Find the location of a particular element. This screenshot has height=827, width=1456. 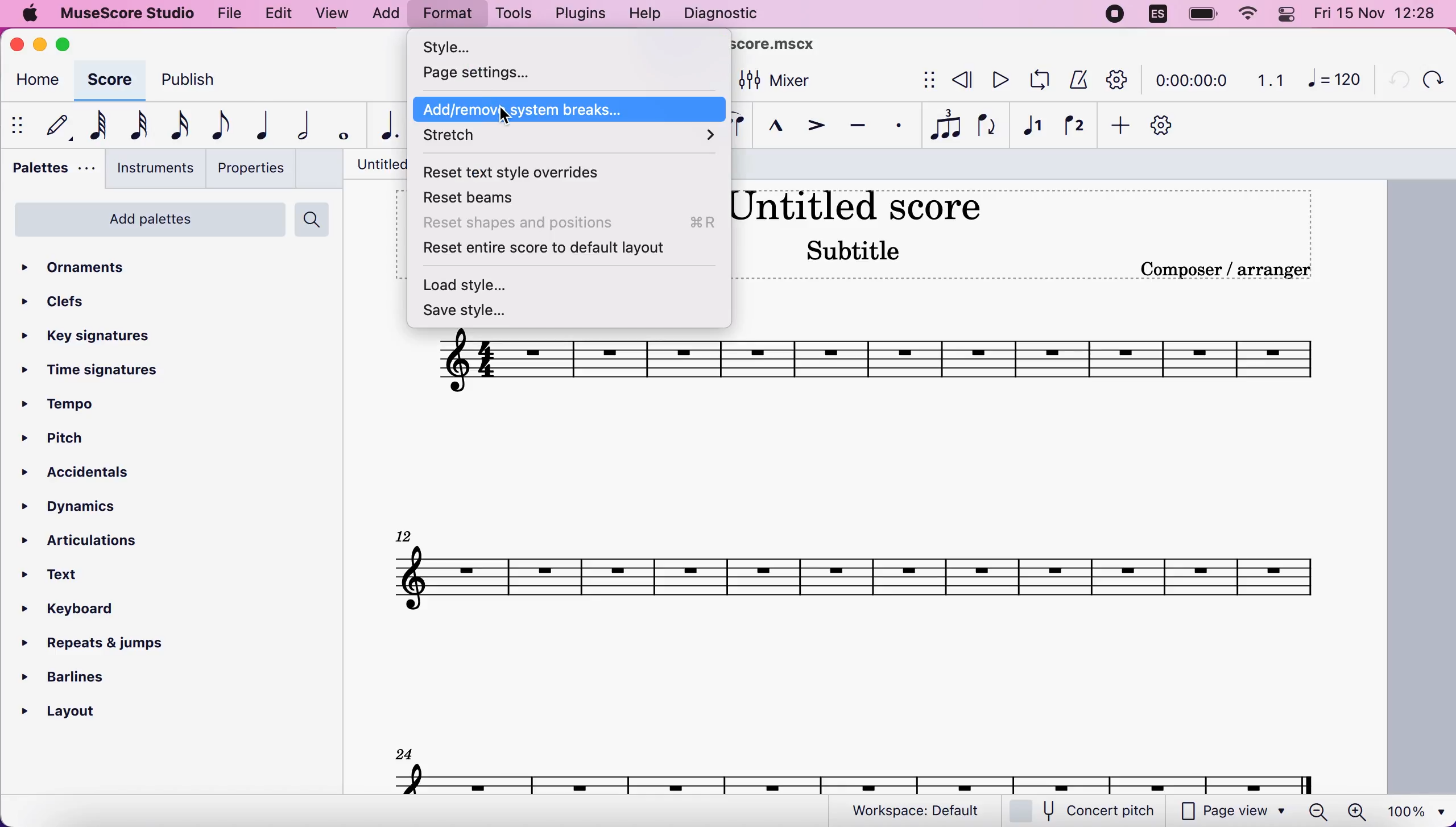

score is located at coordinates (857, 778).